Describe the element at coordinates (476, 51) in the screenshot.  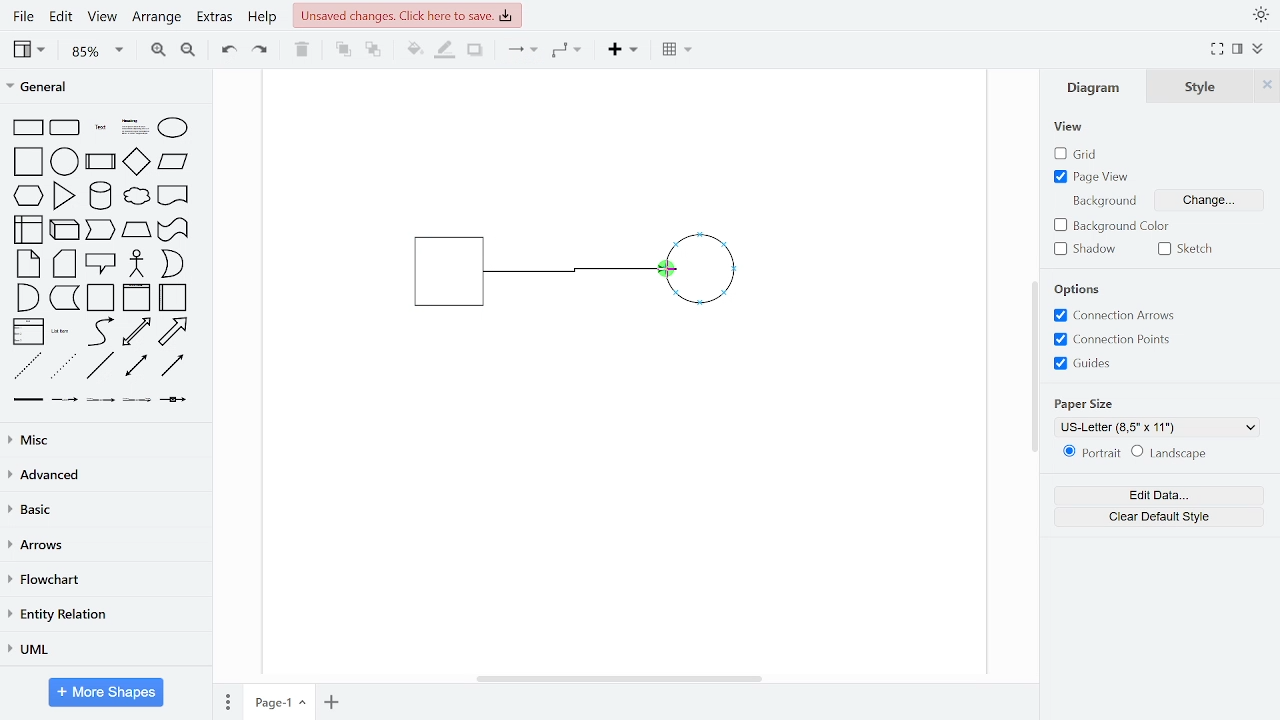
I see `shadow` at that location.